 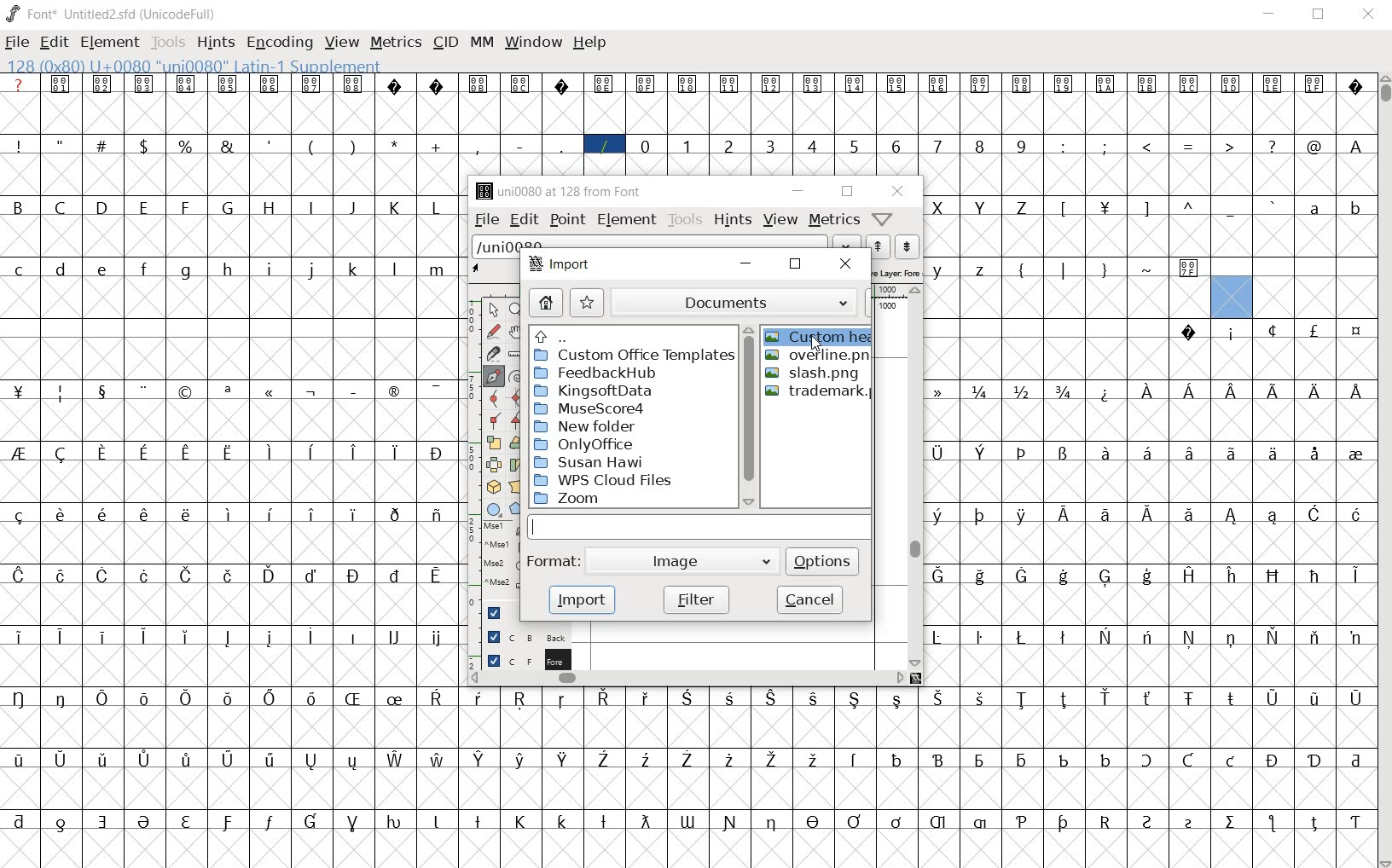 What do you see at coordinates (936, 516) in the screenshot?
I see `glyph` at bounding box center [936, 516].